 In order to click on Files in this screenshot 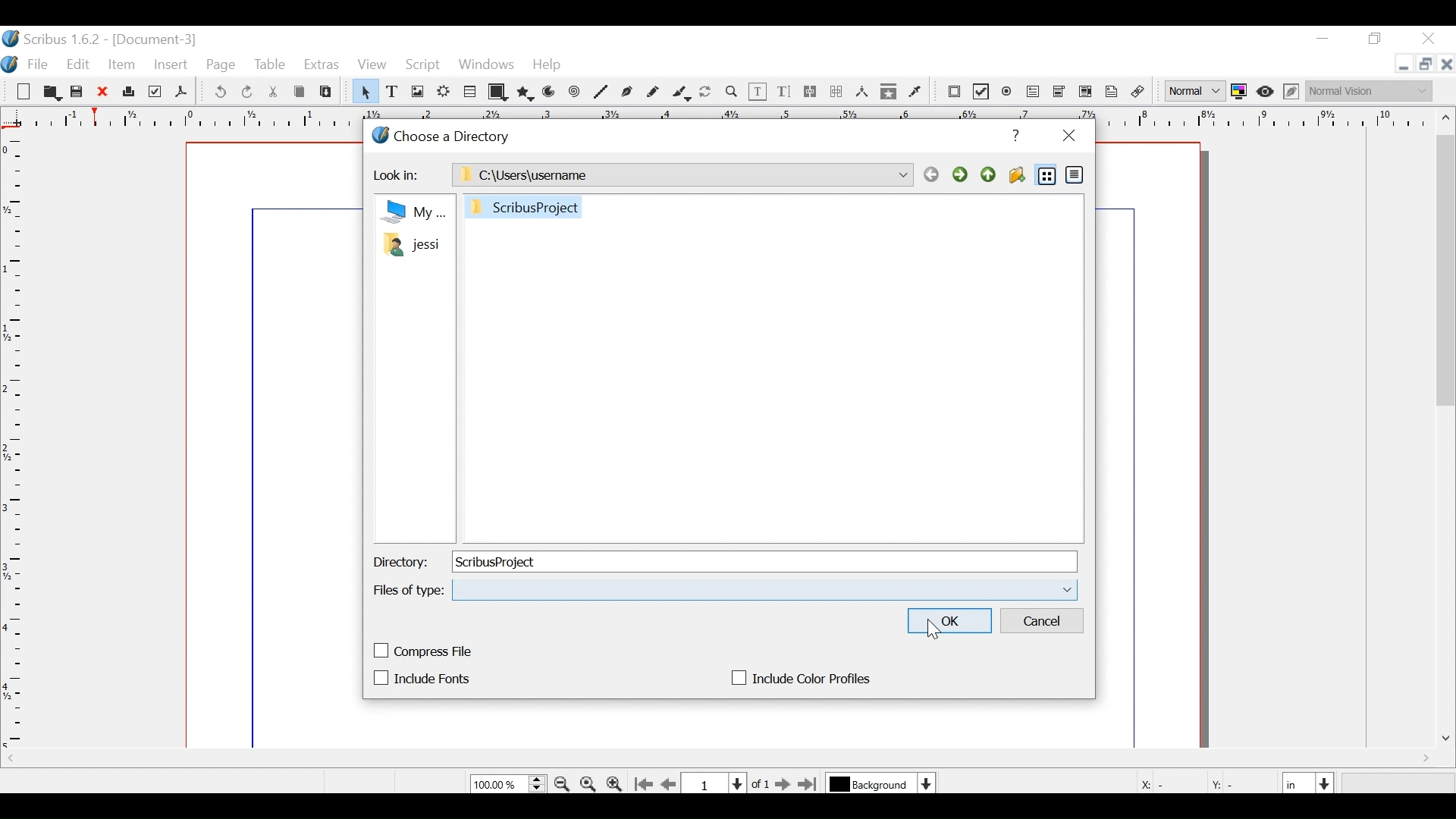, I will do `click(412, 231)`.